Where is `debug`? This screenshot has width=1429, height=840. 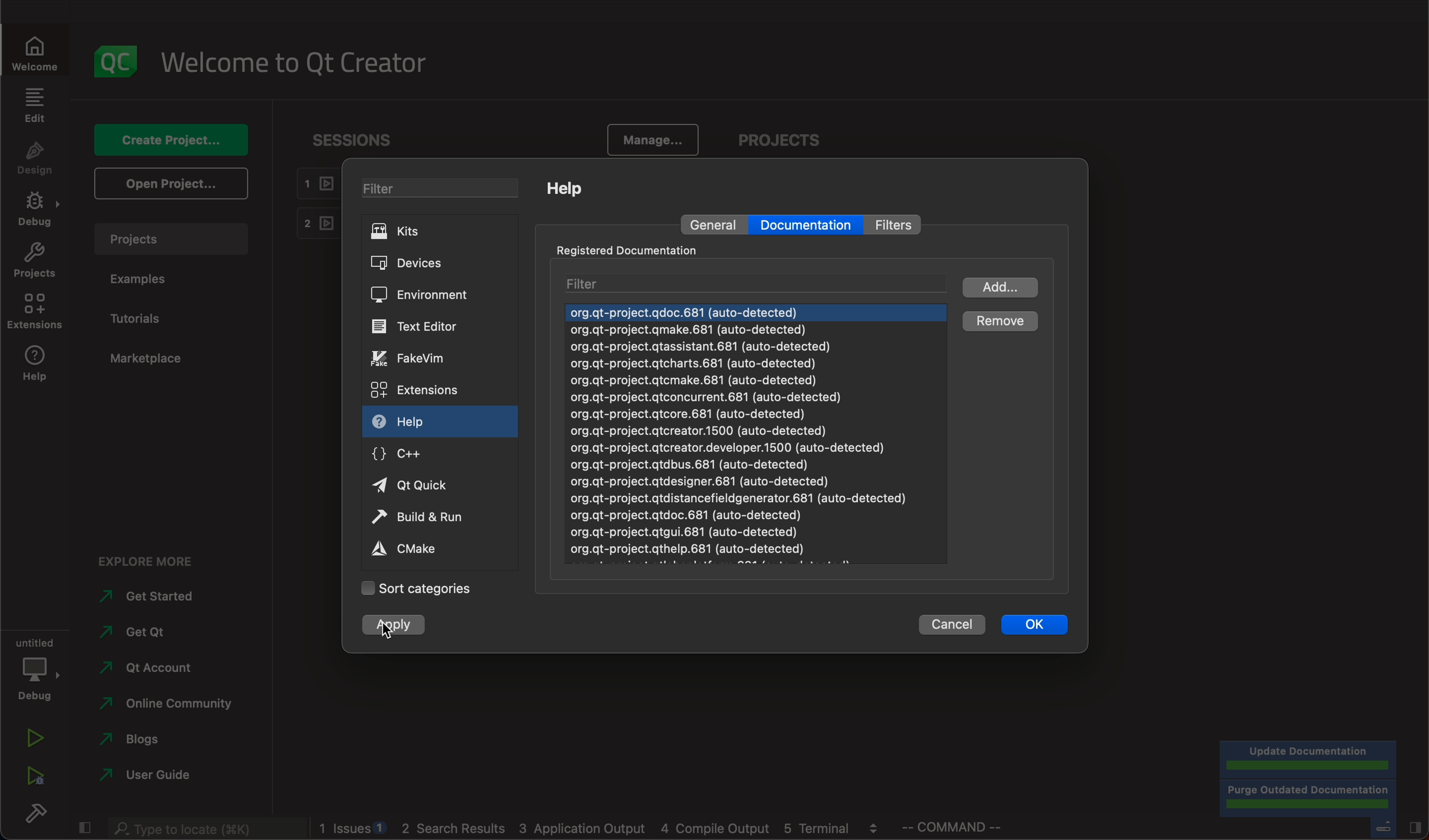 debug is located at coordinates (37, 212).